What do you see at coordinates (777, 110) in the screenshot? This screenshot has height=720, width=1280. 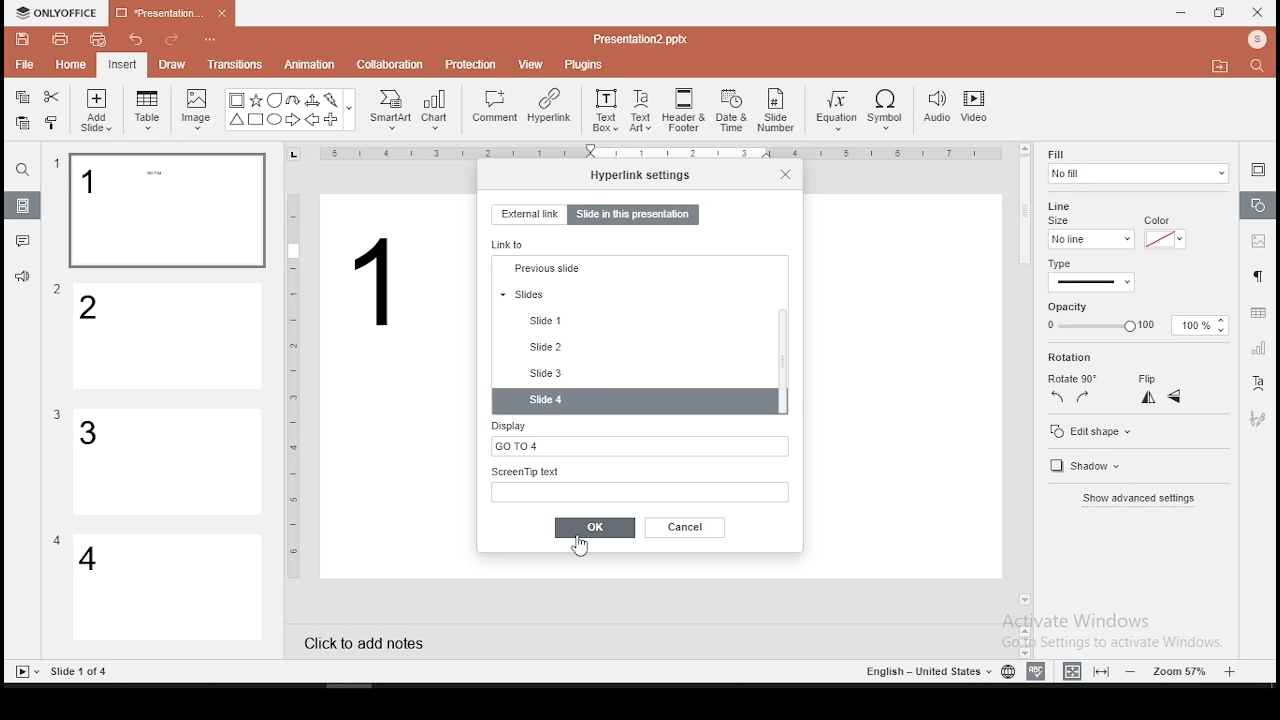 I see `slide number` at bounding box center [777, 110].